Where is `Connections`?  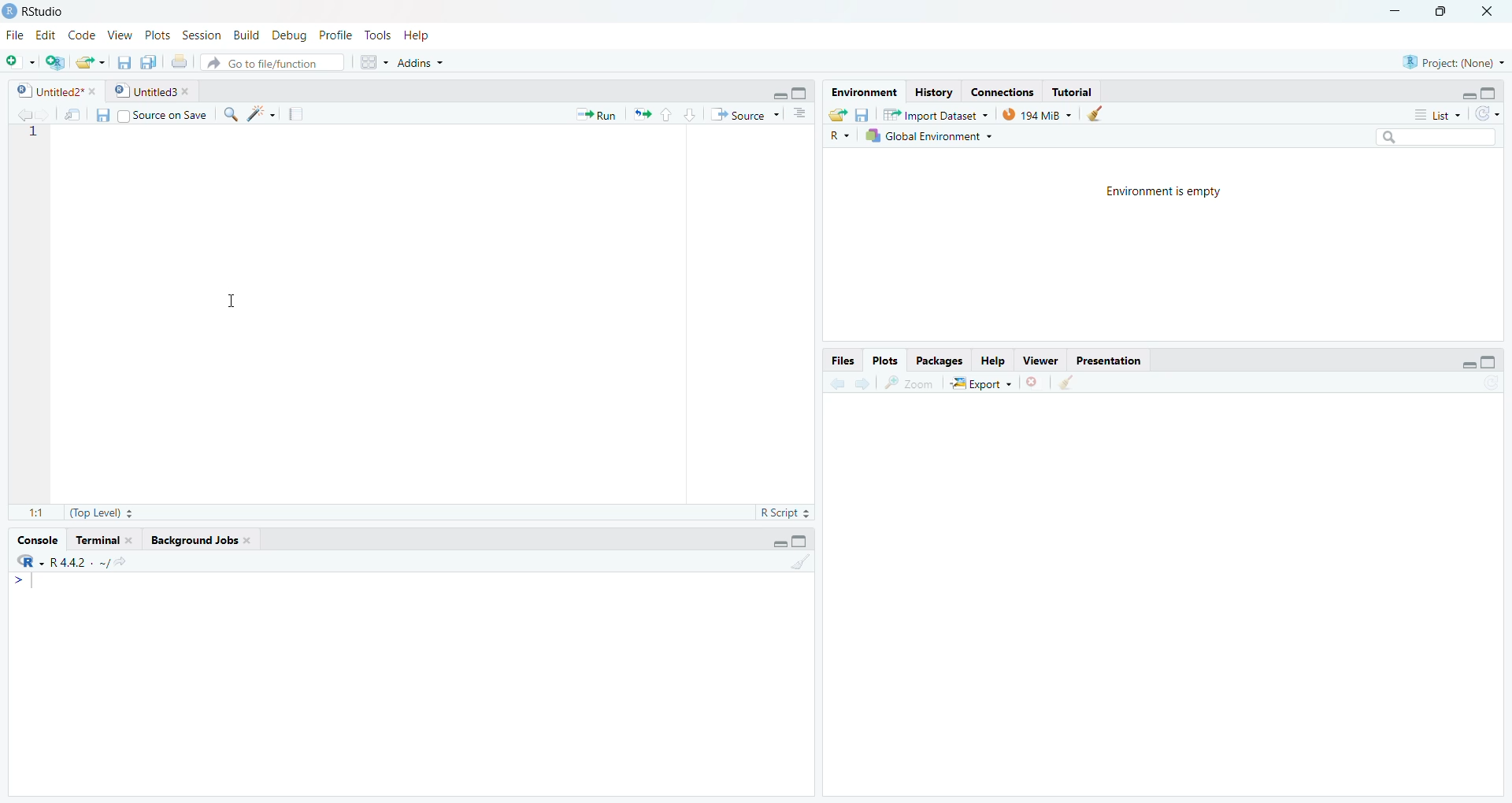
Connections is located at coordinates (1004, 91).